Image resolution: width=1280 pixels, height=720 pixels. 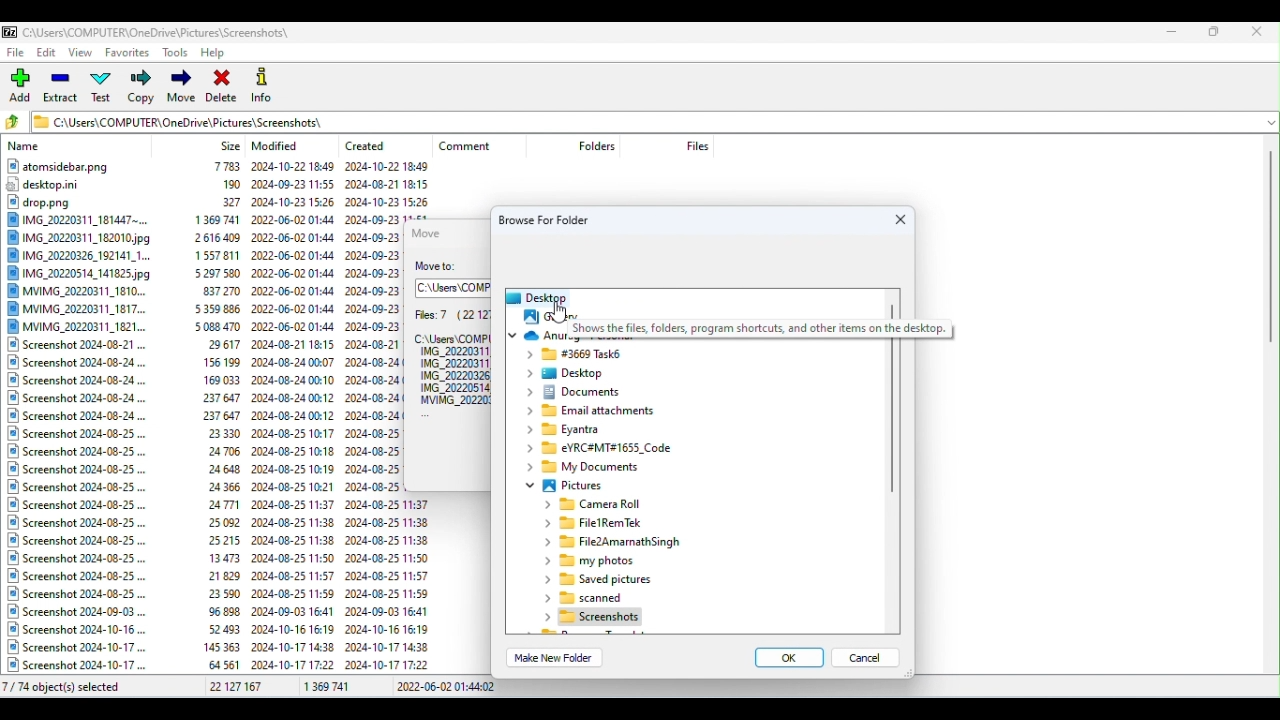 I want to click on Folder, so click(x=595, y=412).